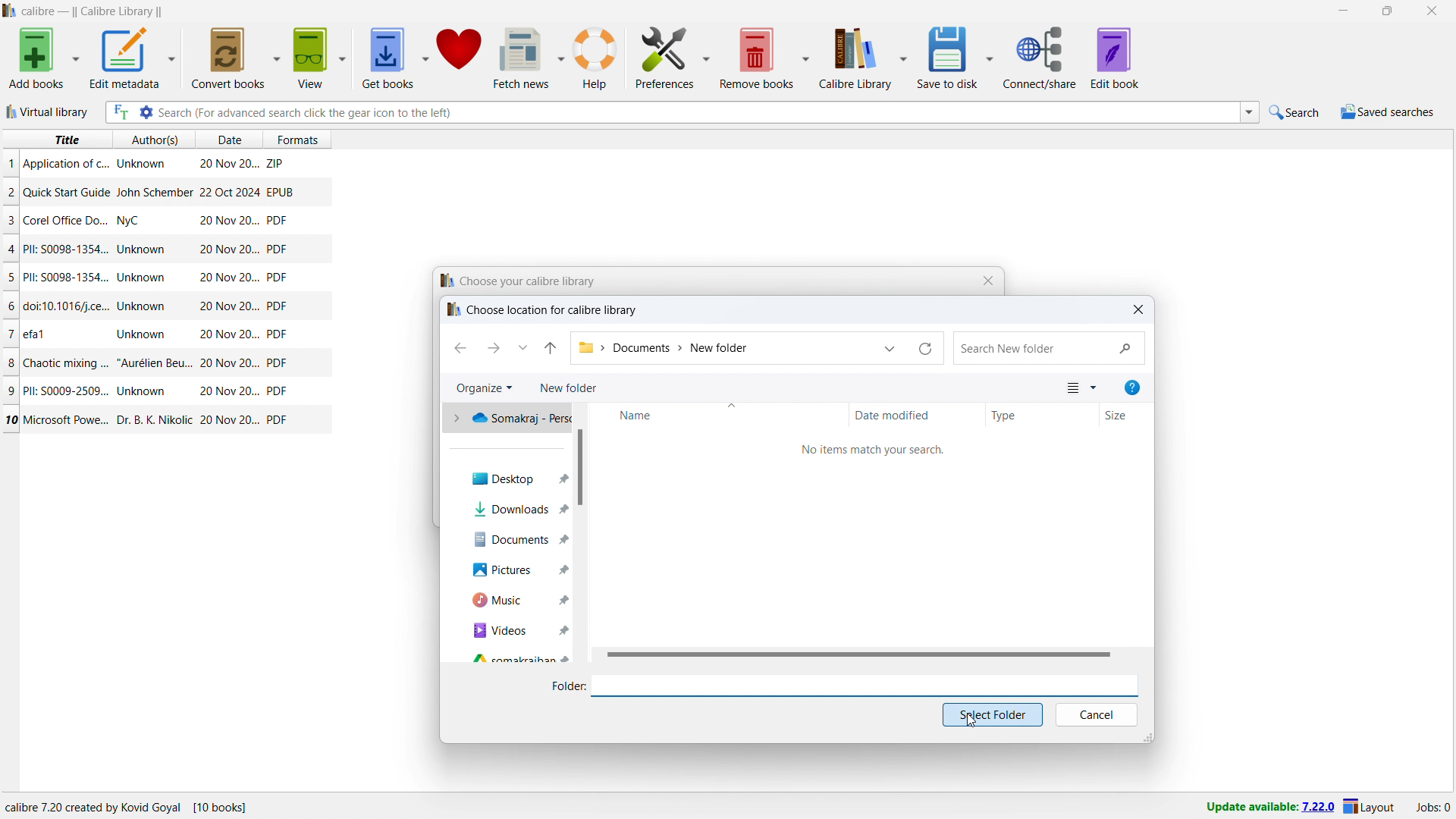 The height and width of the screenshot is (819, 1456). I want to click on update, so click(1269, 808).